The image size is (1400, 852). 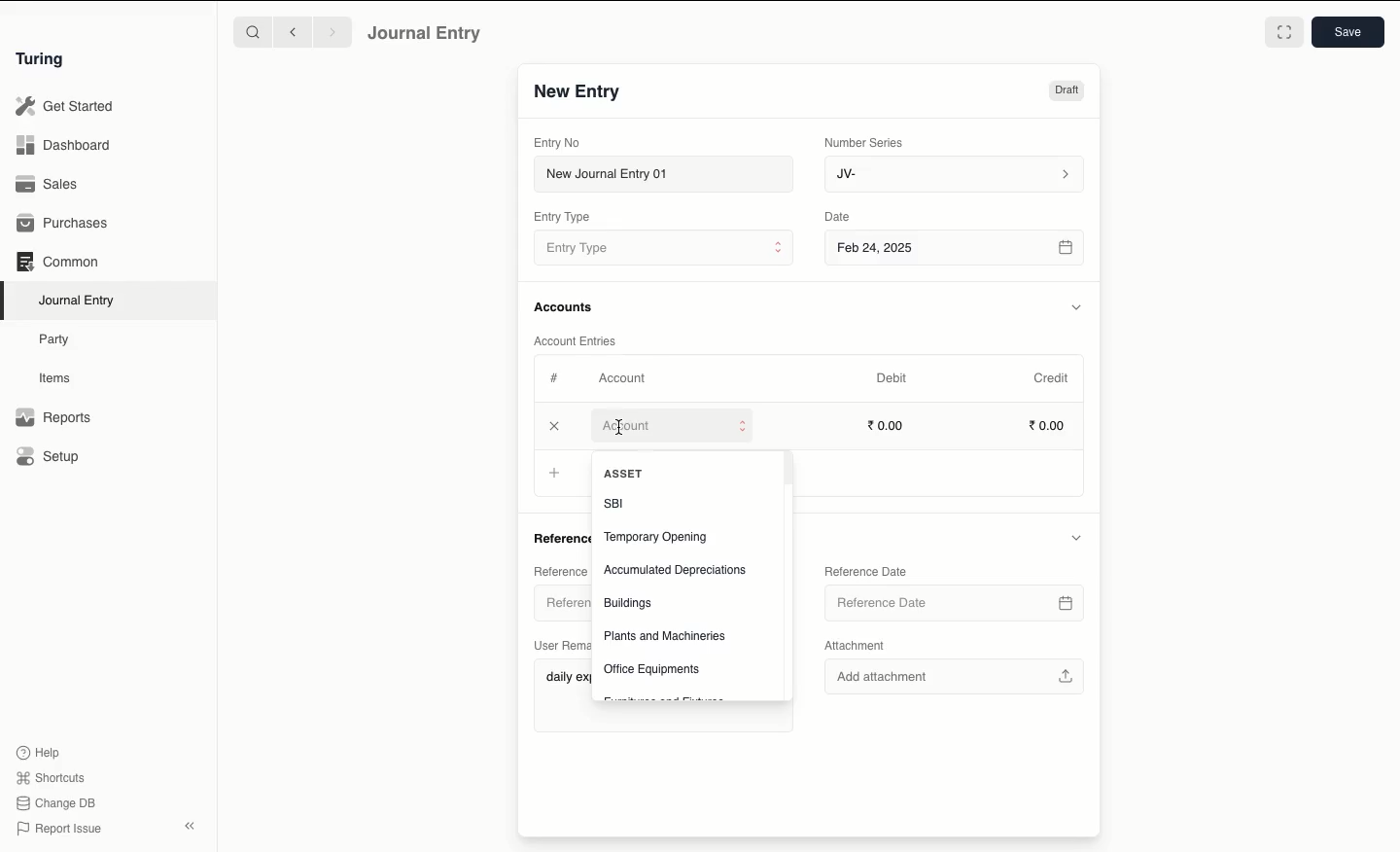 What do you see at coordinates (556, 377) in the screenshot?
I see `Hashtag` at bounding box center [556, 377].